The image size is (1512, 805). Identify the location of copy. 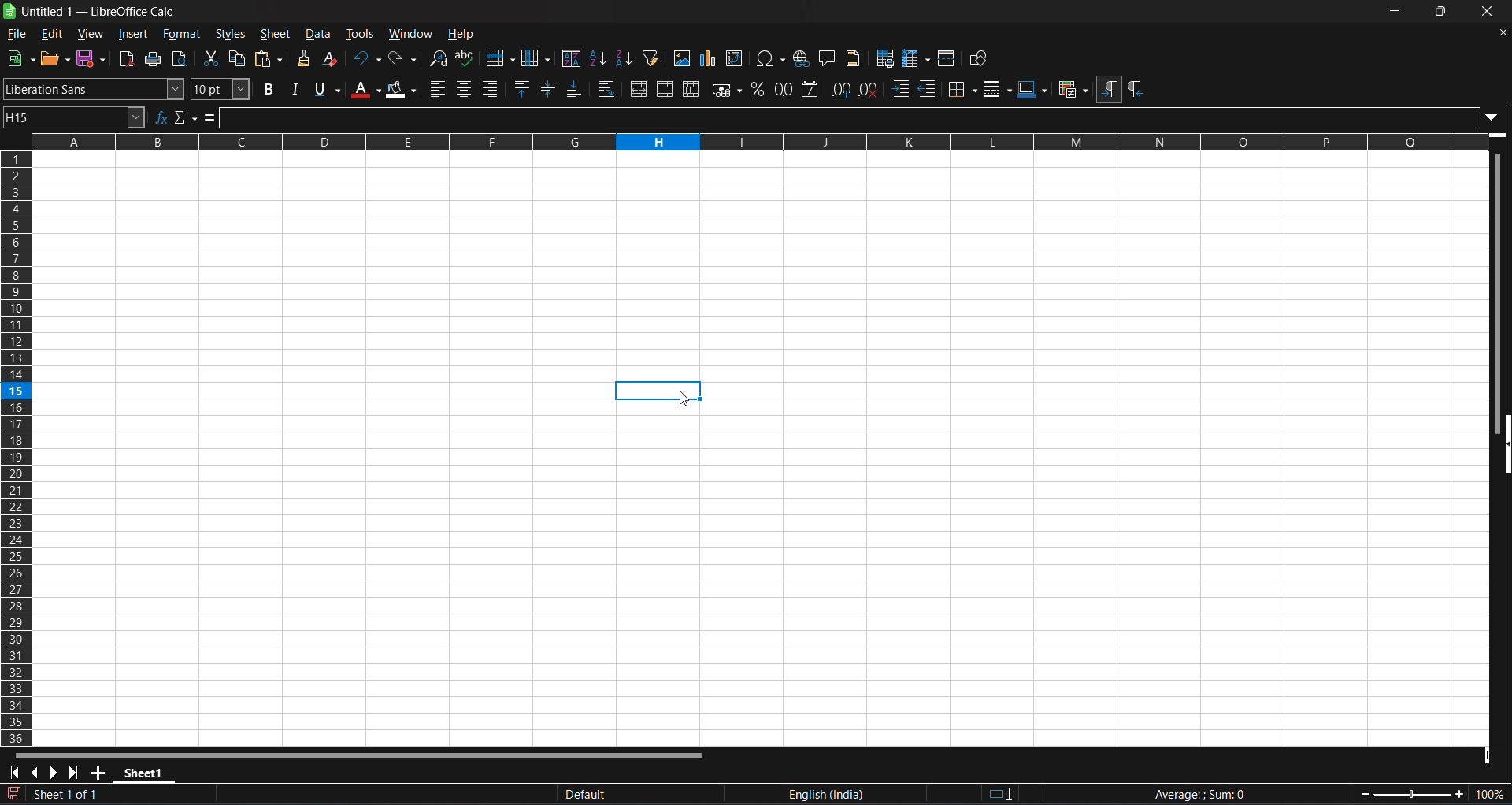
(237, 58).